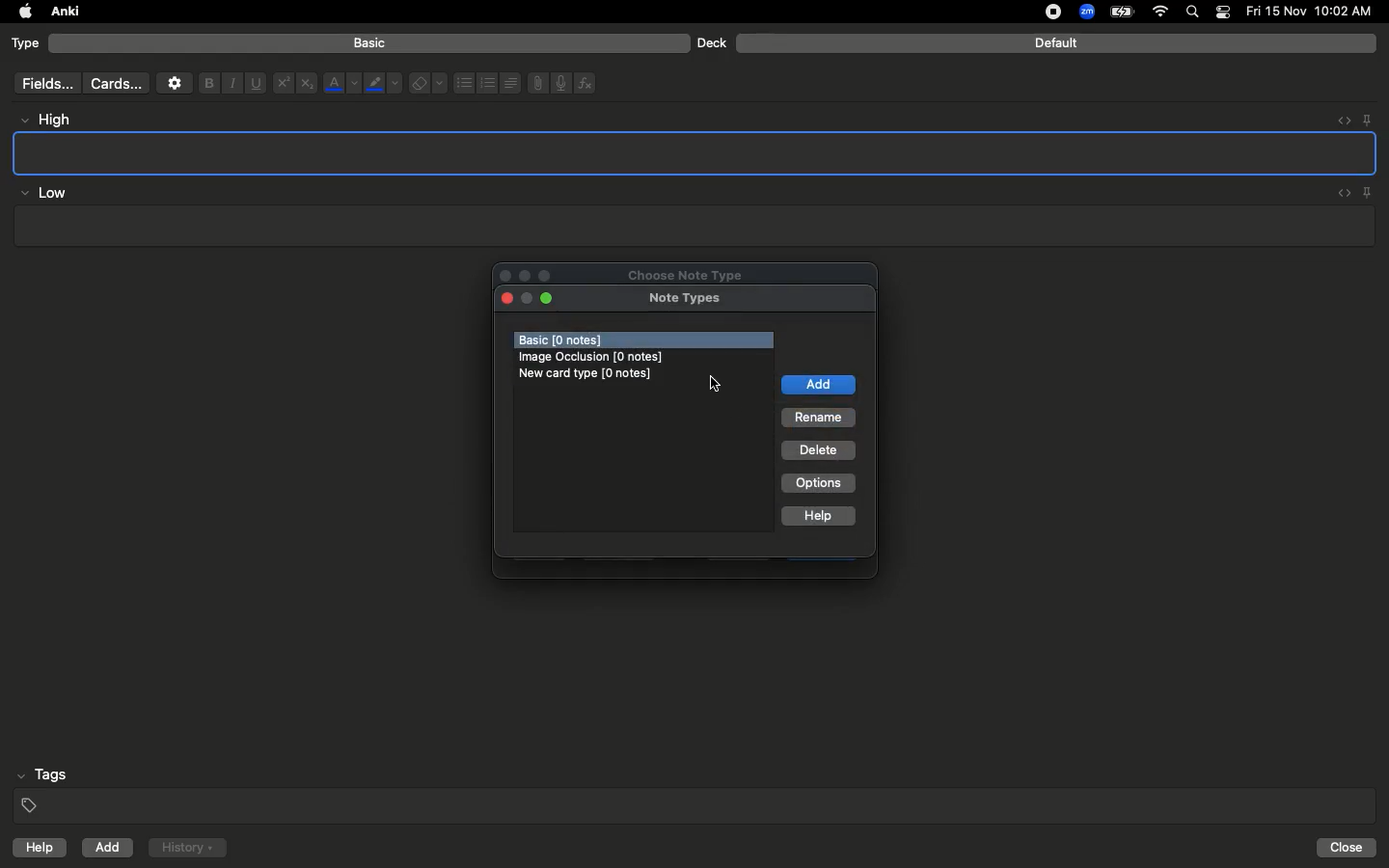 The image size is (1389, 868). What do you see at coordinates (307, 84) in the screenshot?
I see `Subscript` at bounding box center [307, 84].